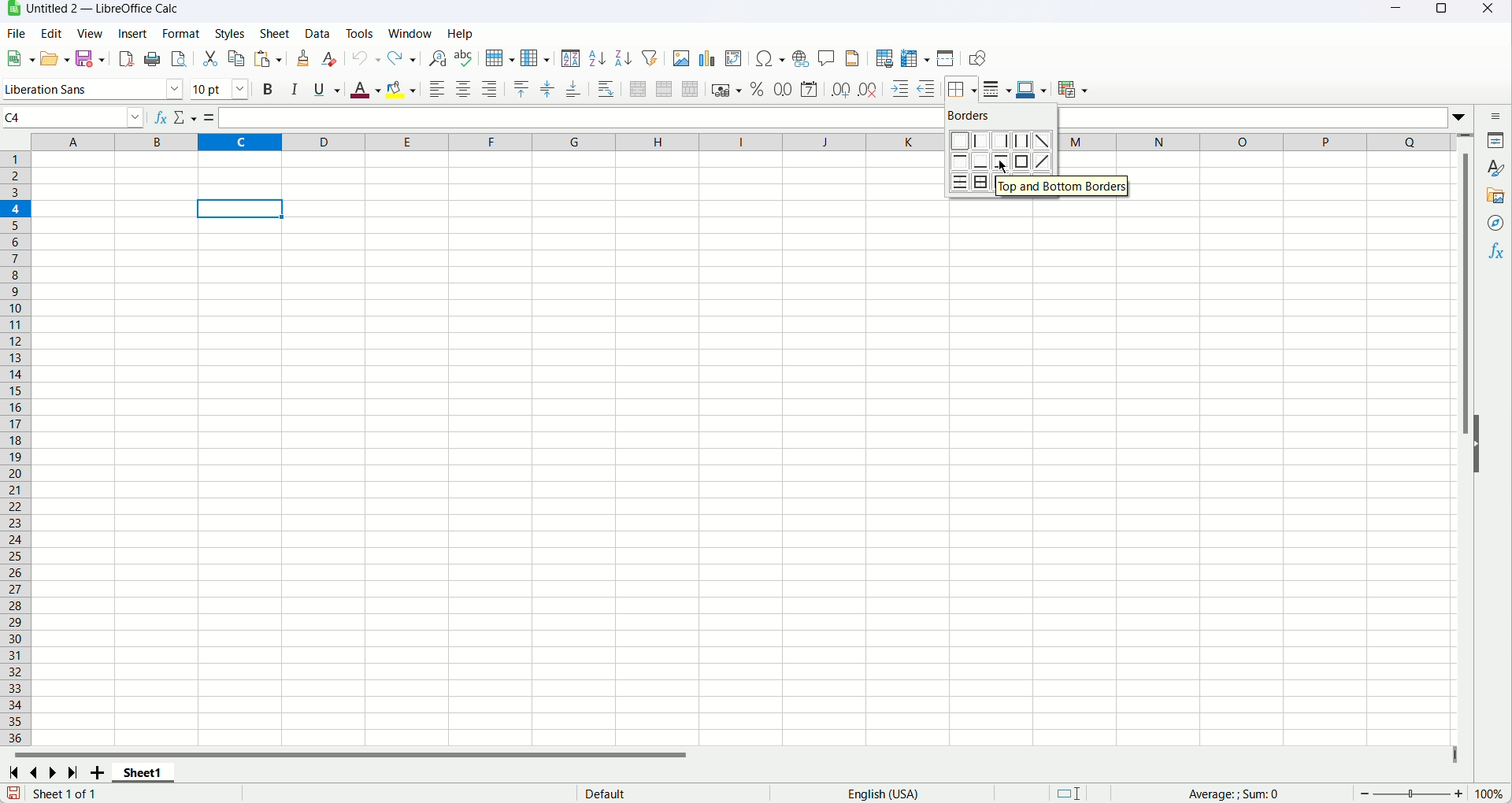  I want to click on Left and Right border, so click(1021, 141).